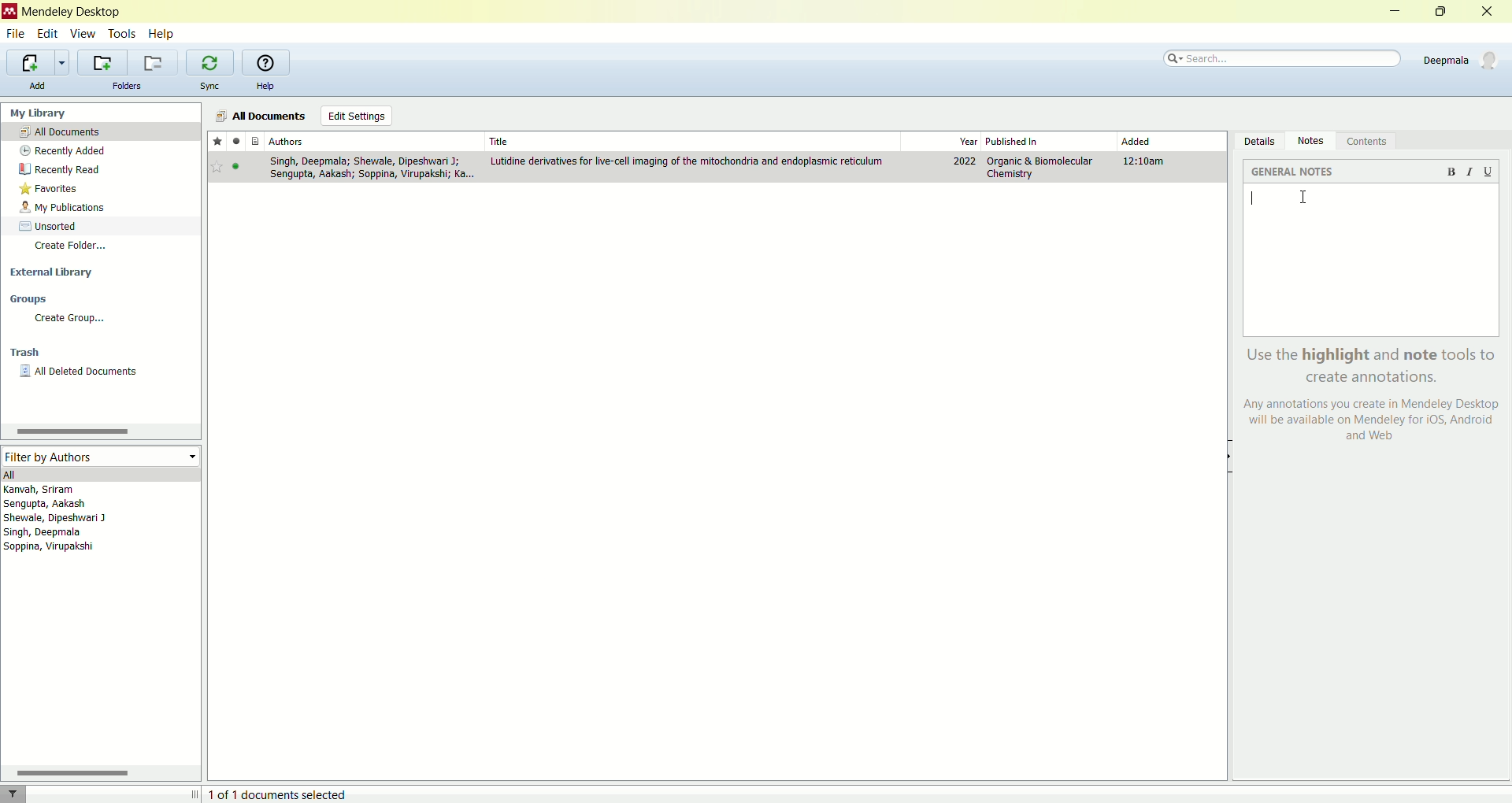 This screenshot has width=1512, height=803. Describe the element at coordinates (68, 519) in the screenshot. I see `Shewale, Dipeshwari J` at that location.